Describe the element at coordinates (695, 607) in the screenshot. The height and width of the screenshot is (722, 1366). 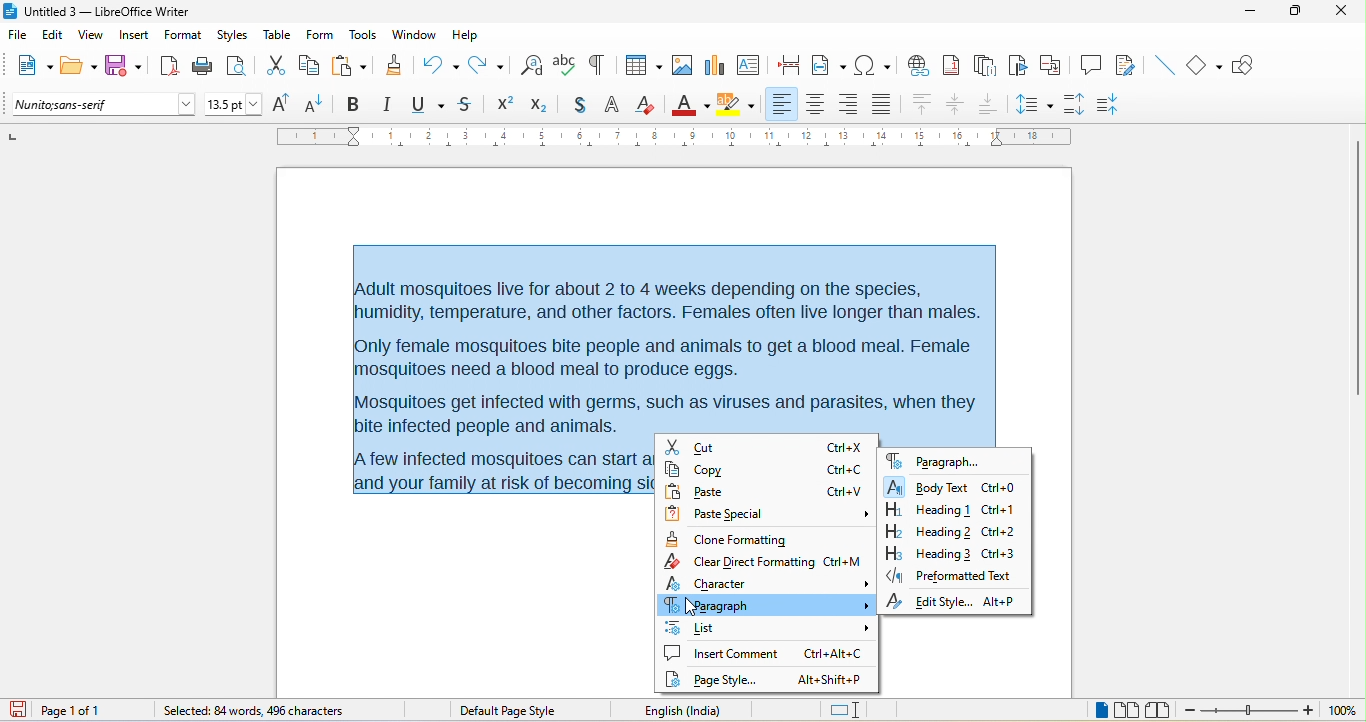
I see `cursor movement` at that location.